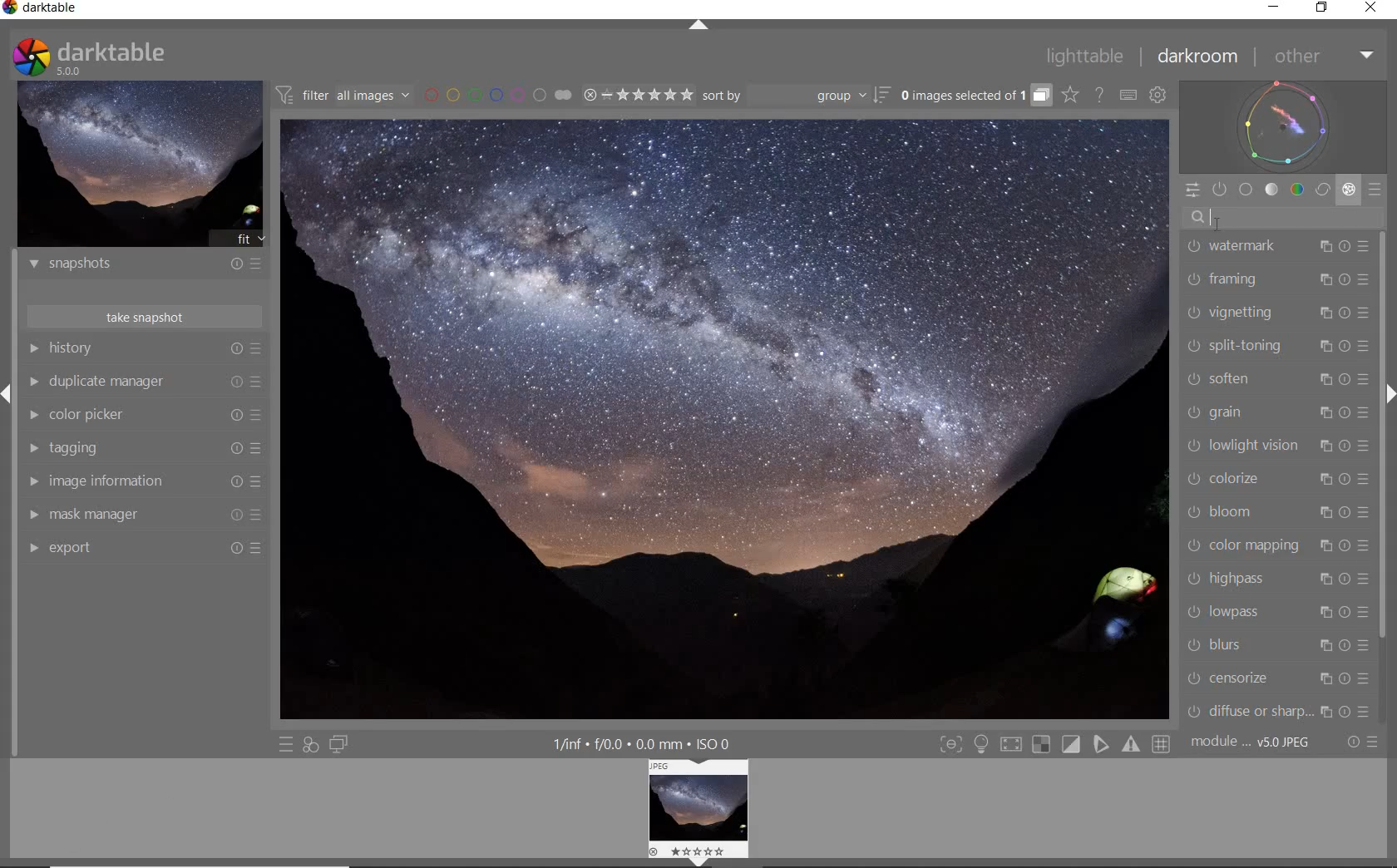 This screenshot has height=868, width=1397. What do you see at coordinates (1362, 483) in the screenshot?
I see `presets` at bounding box center [1362, 483].